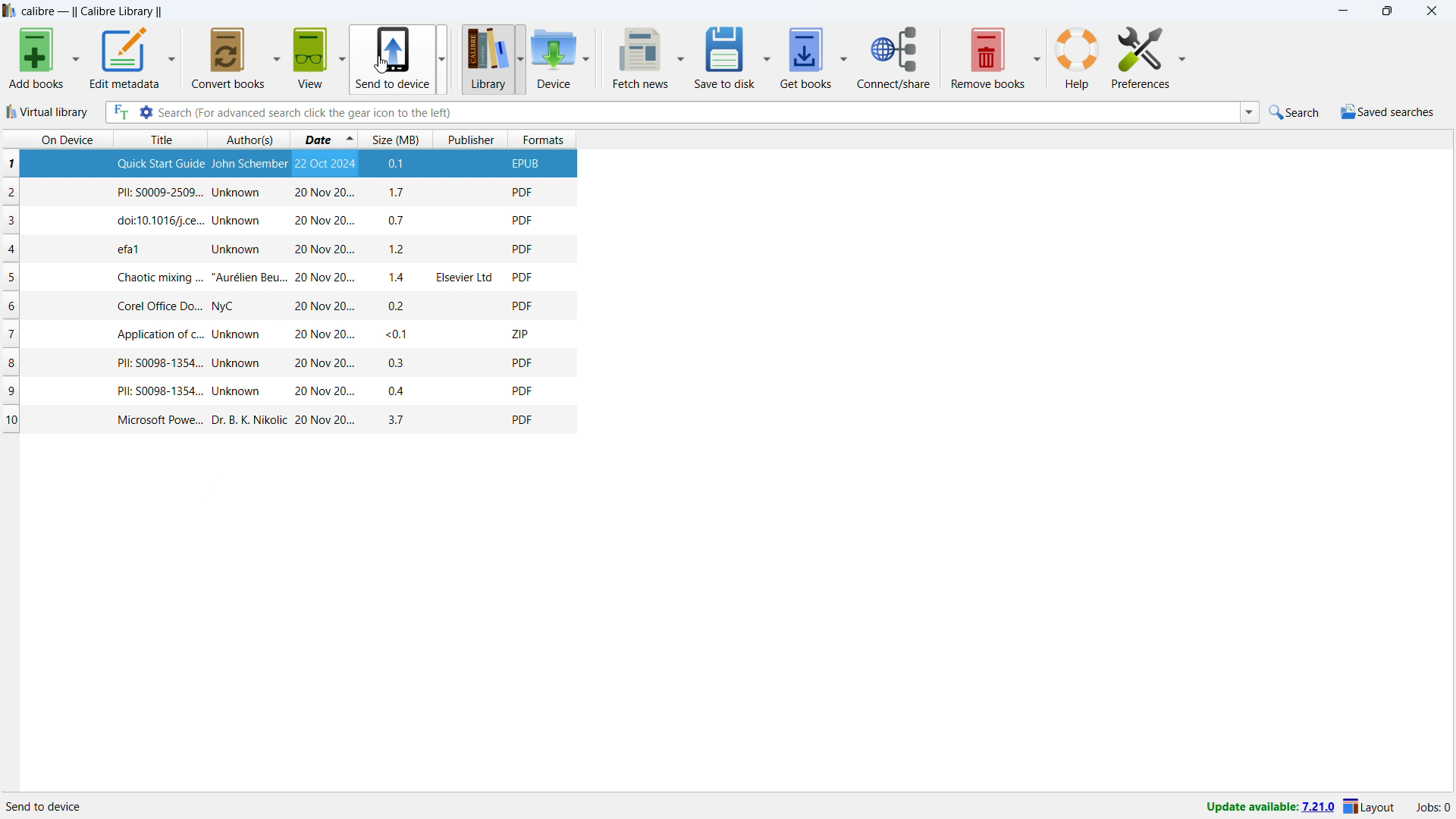  Describe the element at coordinates (249, 140) in the screenshot. I see `sort by authors` at that location.